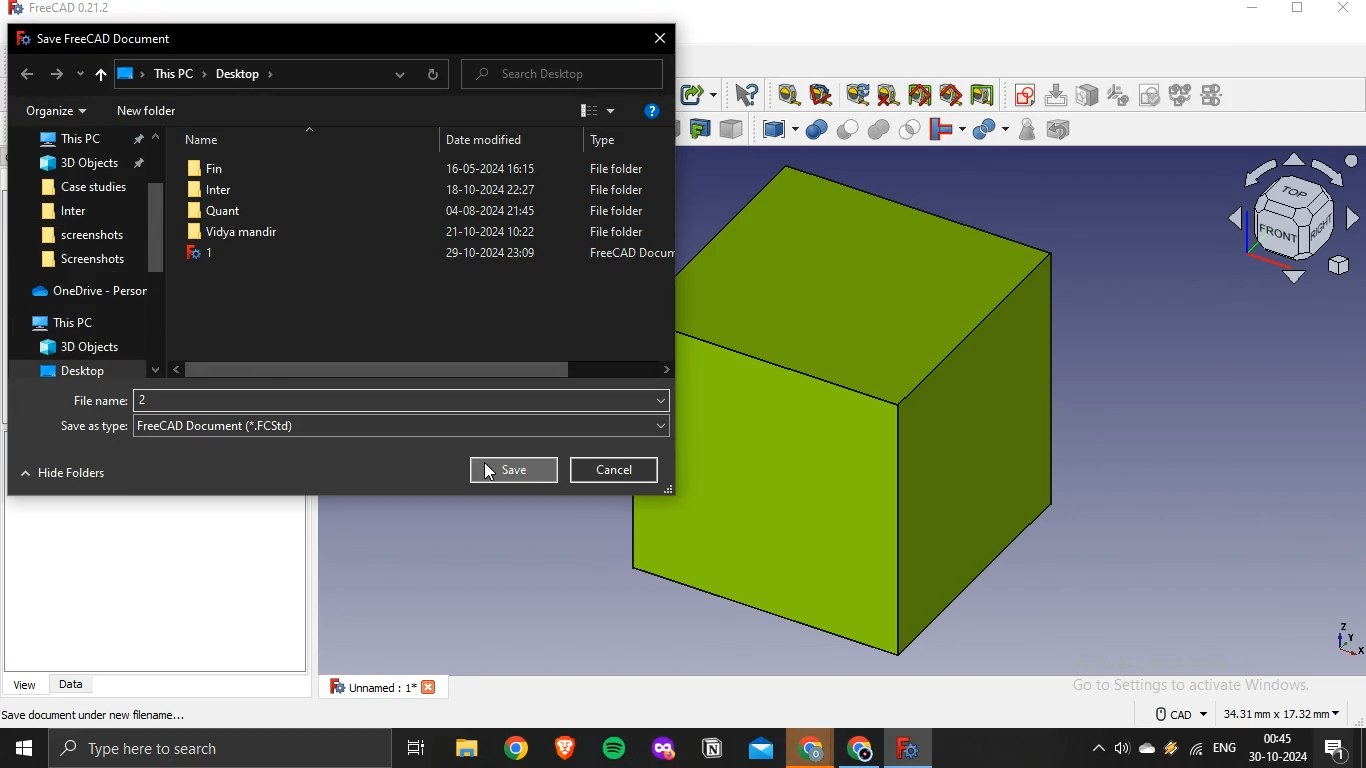 The image size is (1366, 768). Describe the element at coordinates (27, 73) in the screenshot. I see `back` at that location.